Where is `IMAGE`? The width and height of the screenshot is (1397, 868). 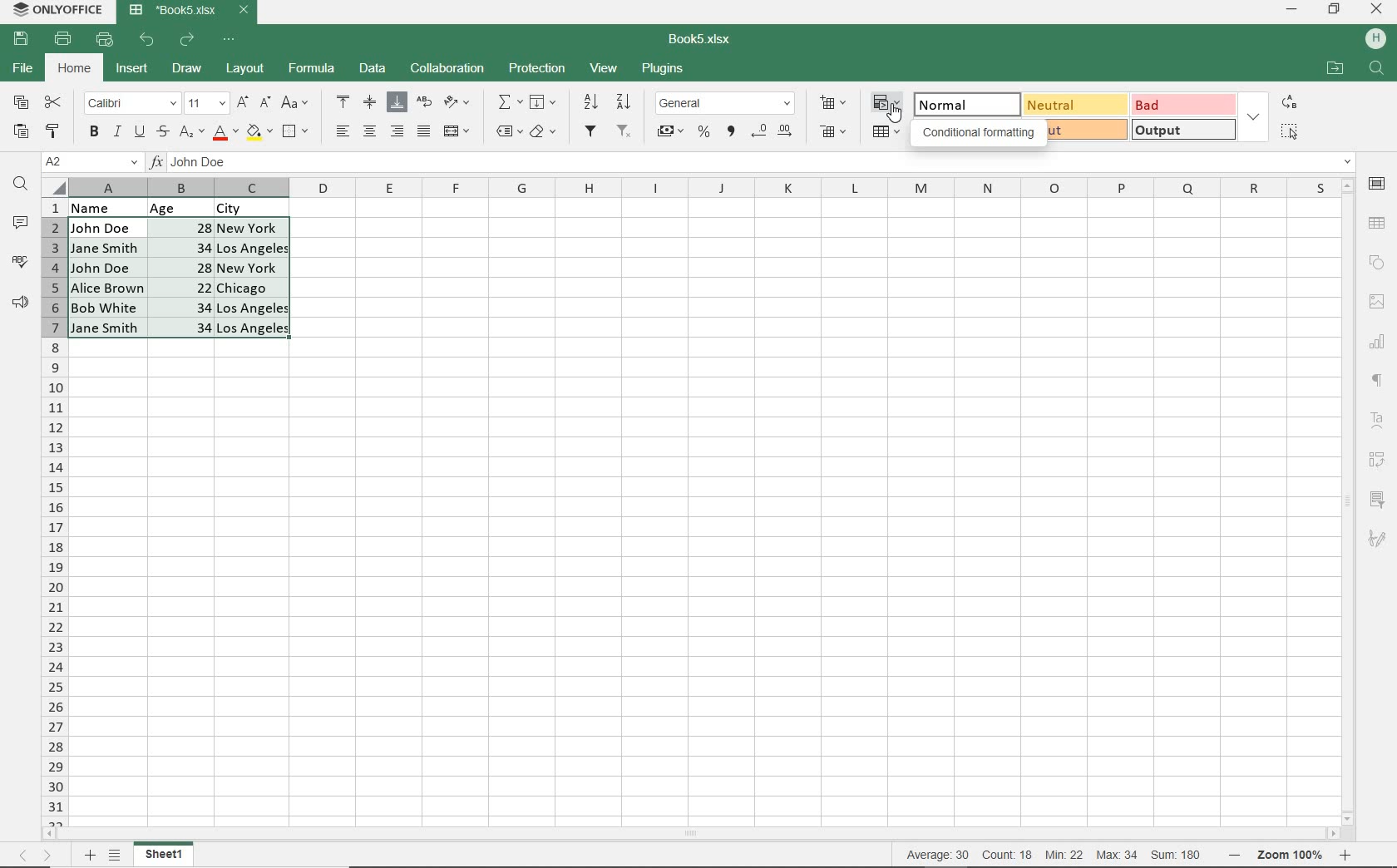 IMAGE is located at coordinates (1376, 302).